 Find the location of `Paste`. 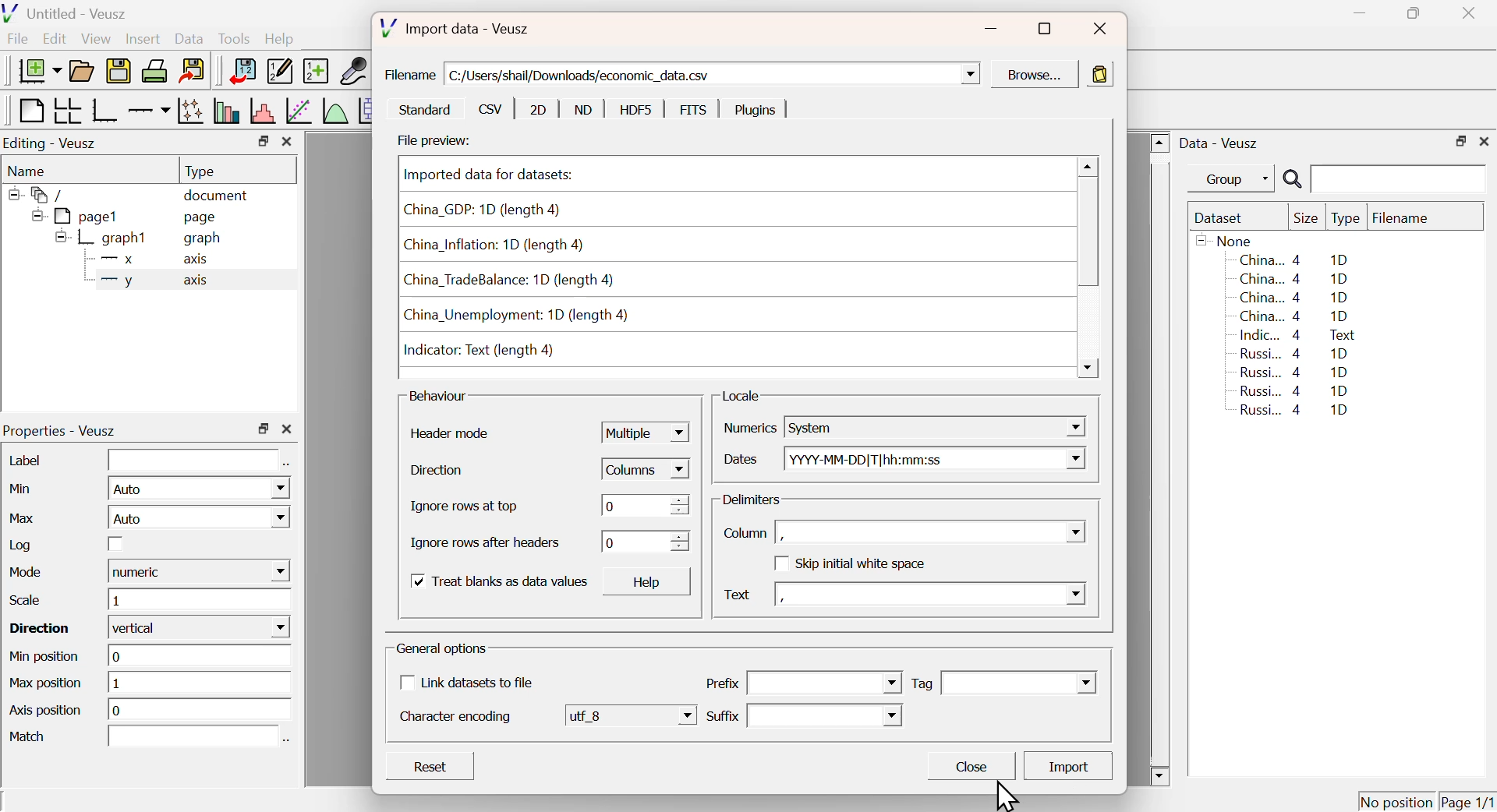

Paste is located at coordinates (1099, 74).